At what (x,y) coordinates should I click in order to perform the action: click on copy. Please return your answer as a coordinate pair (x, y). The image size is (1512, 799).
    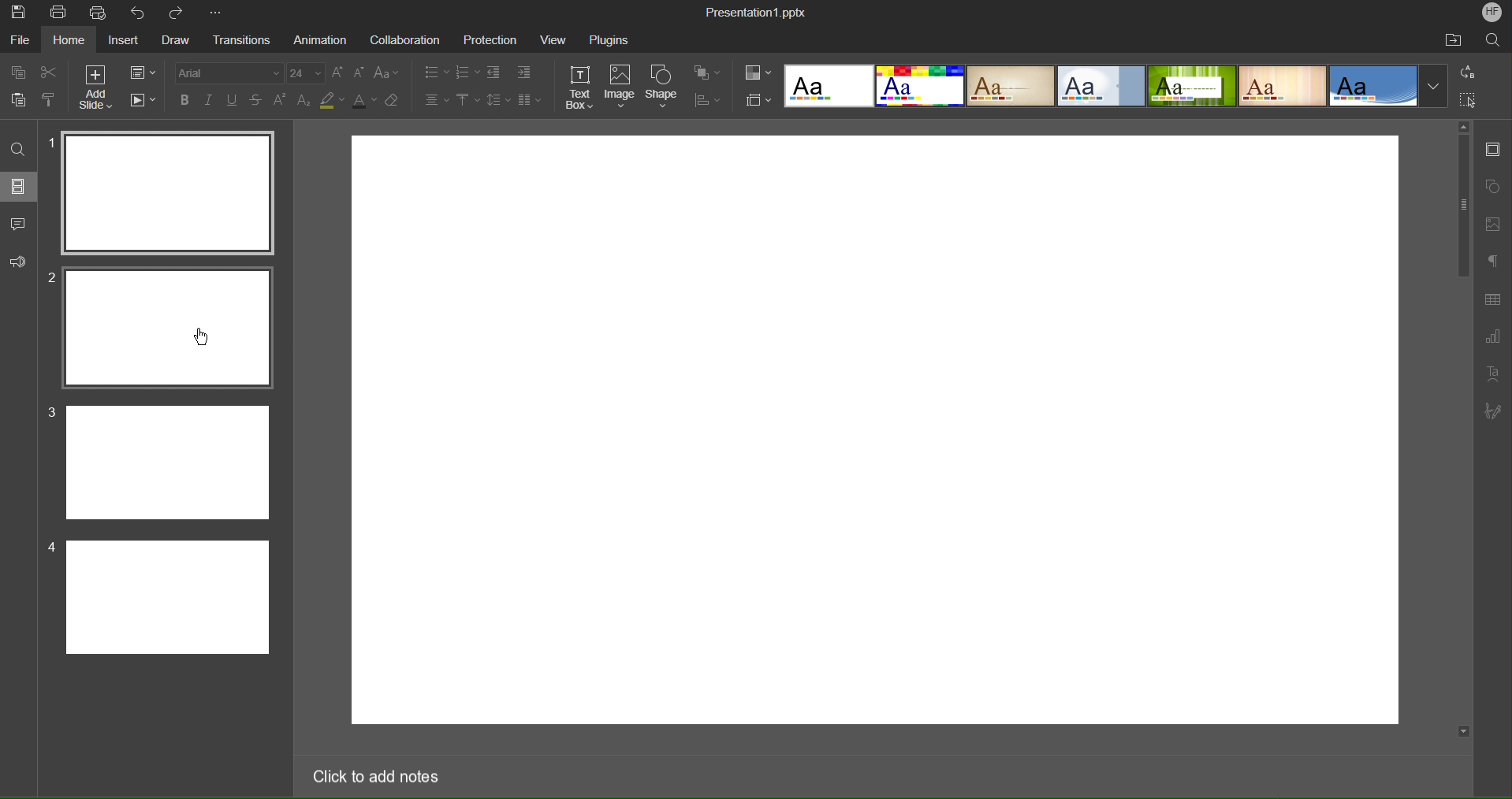
    Looking at the image, I should click on (19, 74).